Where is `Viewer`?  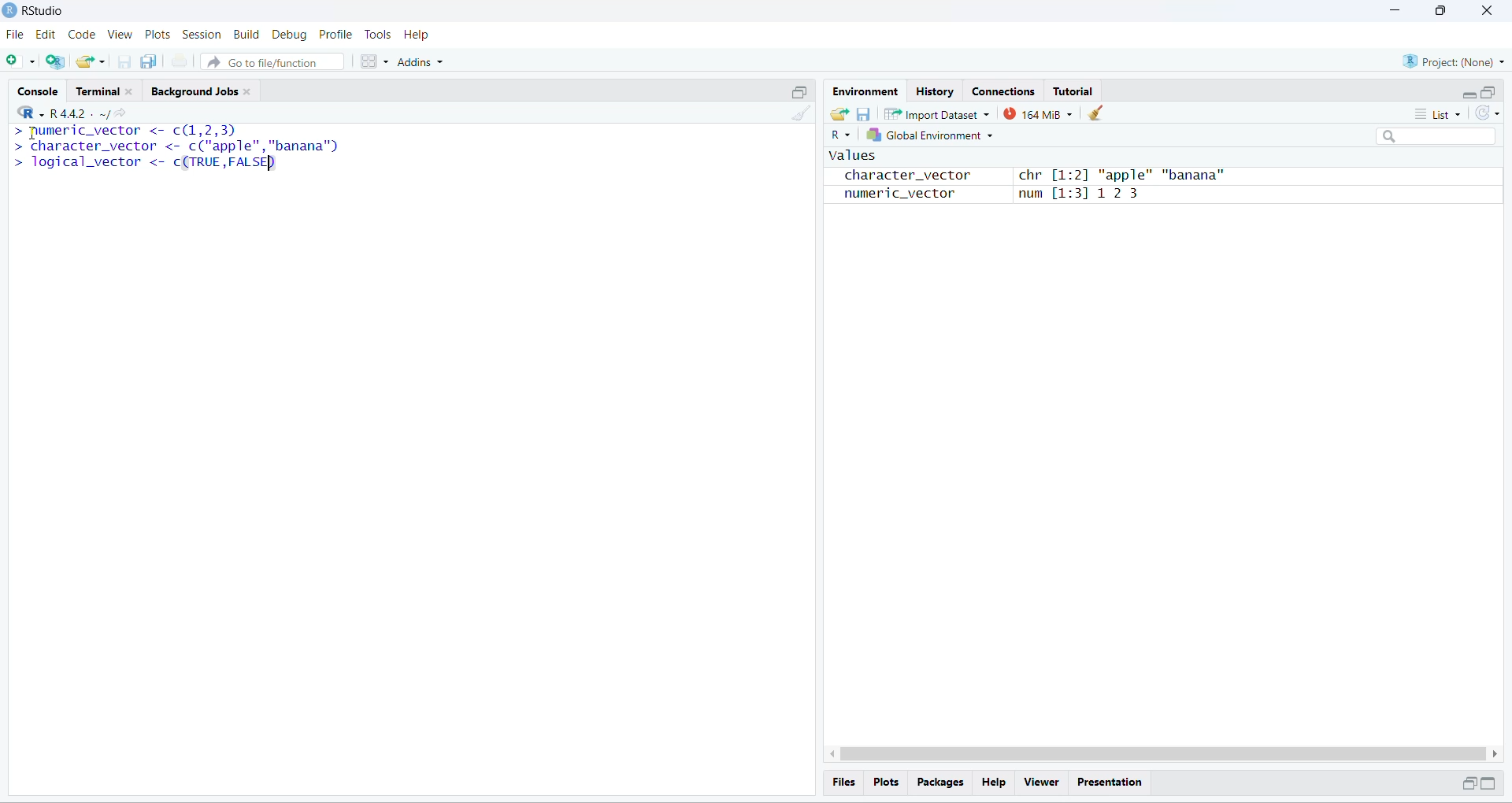 Viewer is located at coordinates (1042, 783).